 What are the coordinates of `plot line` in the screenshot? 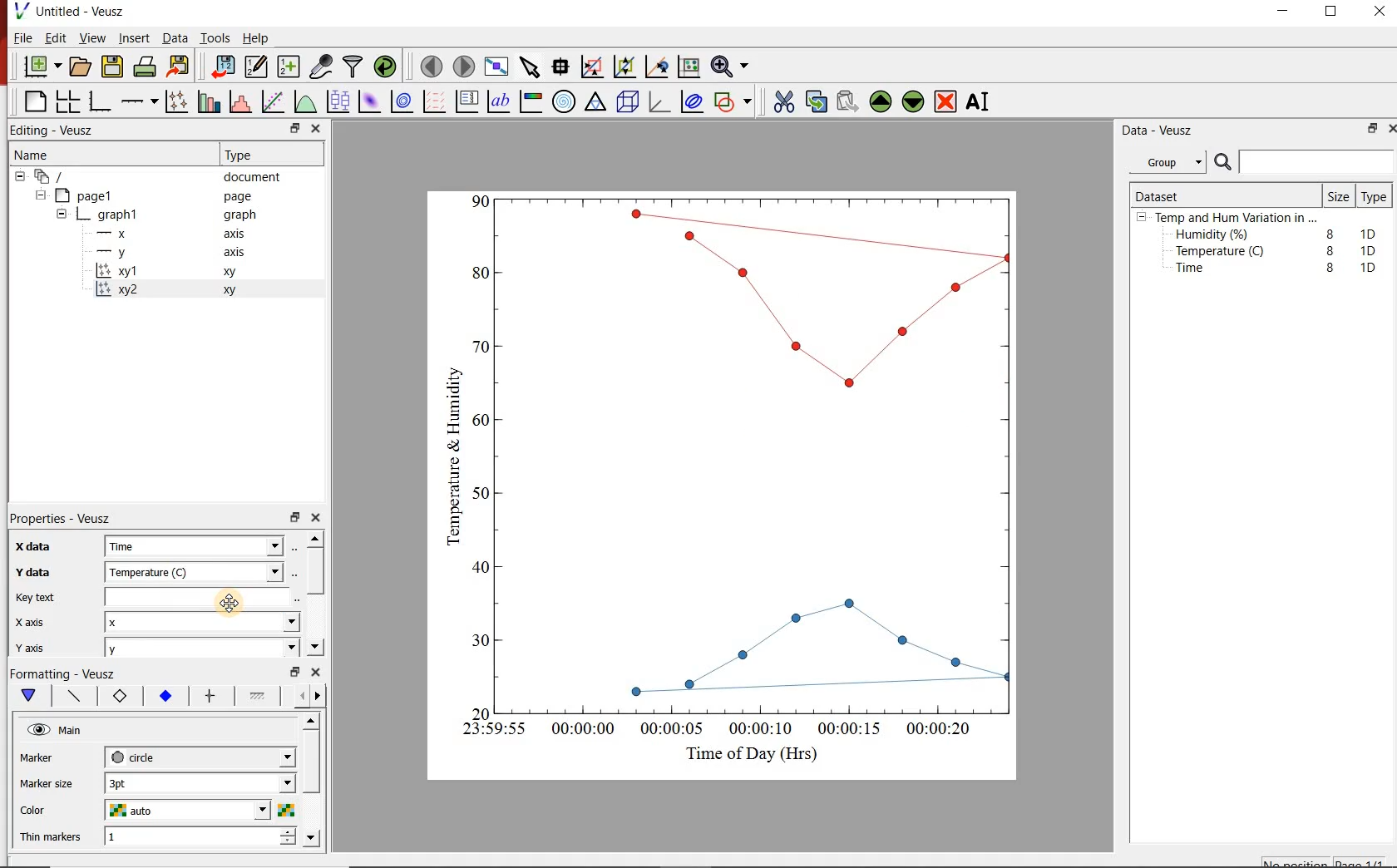 It's located at (75, 697).